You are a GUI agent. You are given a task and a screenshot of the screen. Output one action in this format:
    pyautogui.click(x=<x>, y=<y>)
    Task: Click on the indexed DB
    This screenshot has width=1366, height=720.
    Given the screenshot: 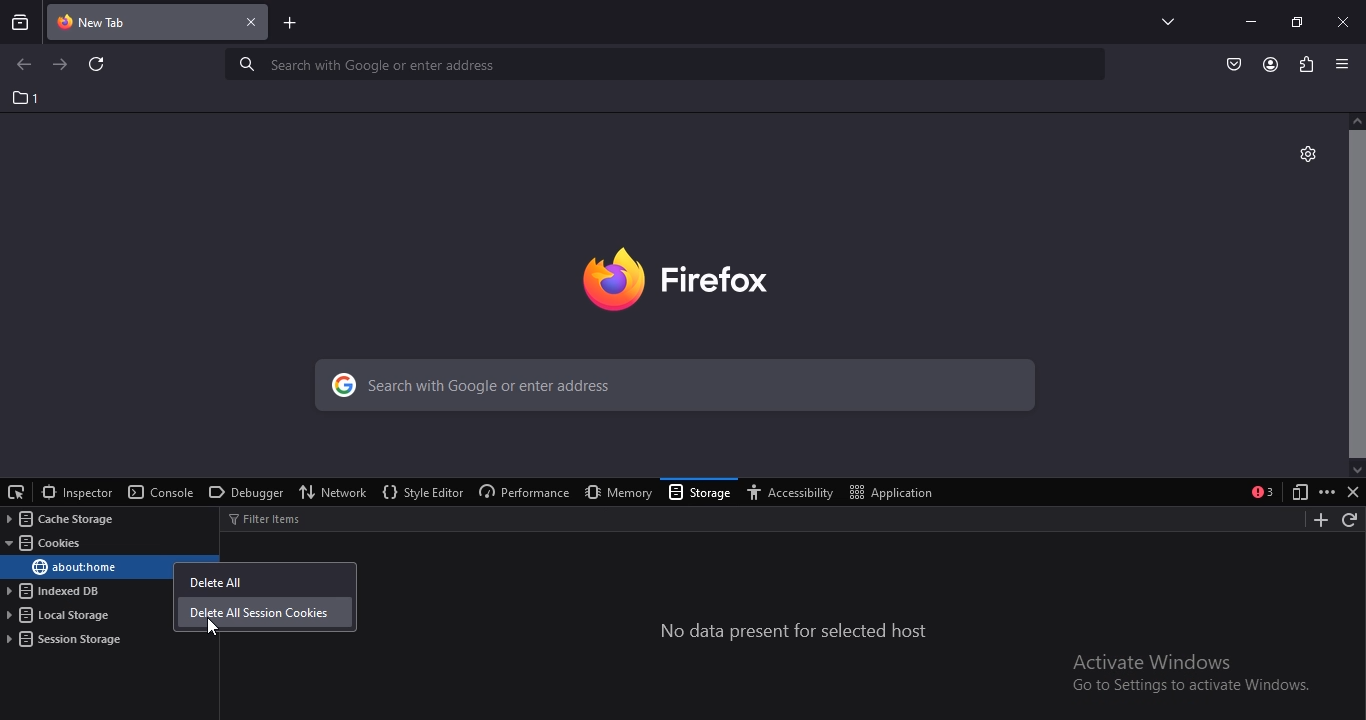 What is the action you would take?
    pyautogui.click(x=57, y=592)
    